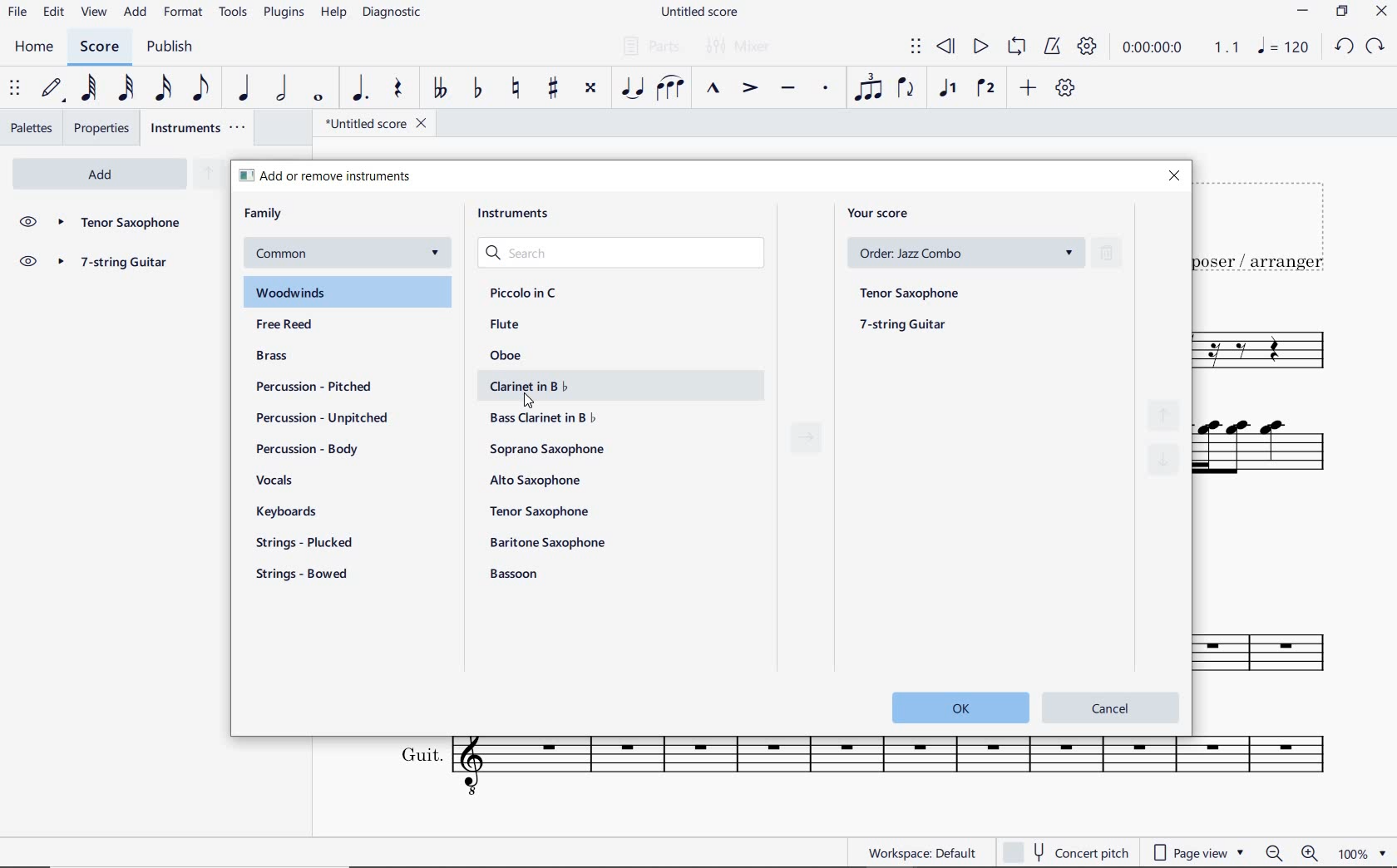 The image size is (1397, 868). I want to click on TOGGLE DOUBLE-SHARP, so click(590, 90).